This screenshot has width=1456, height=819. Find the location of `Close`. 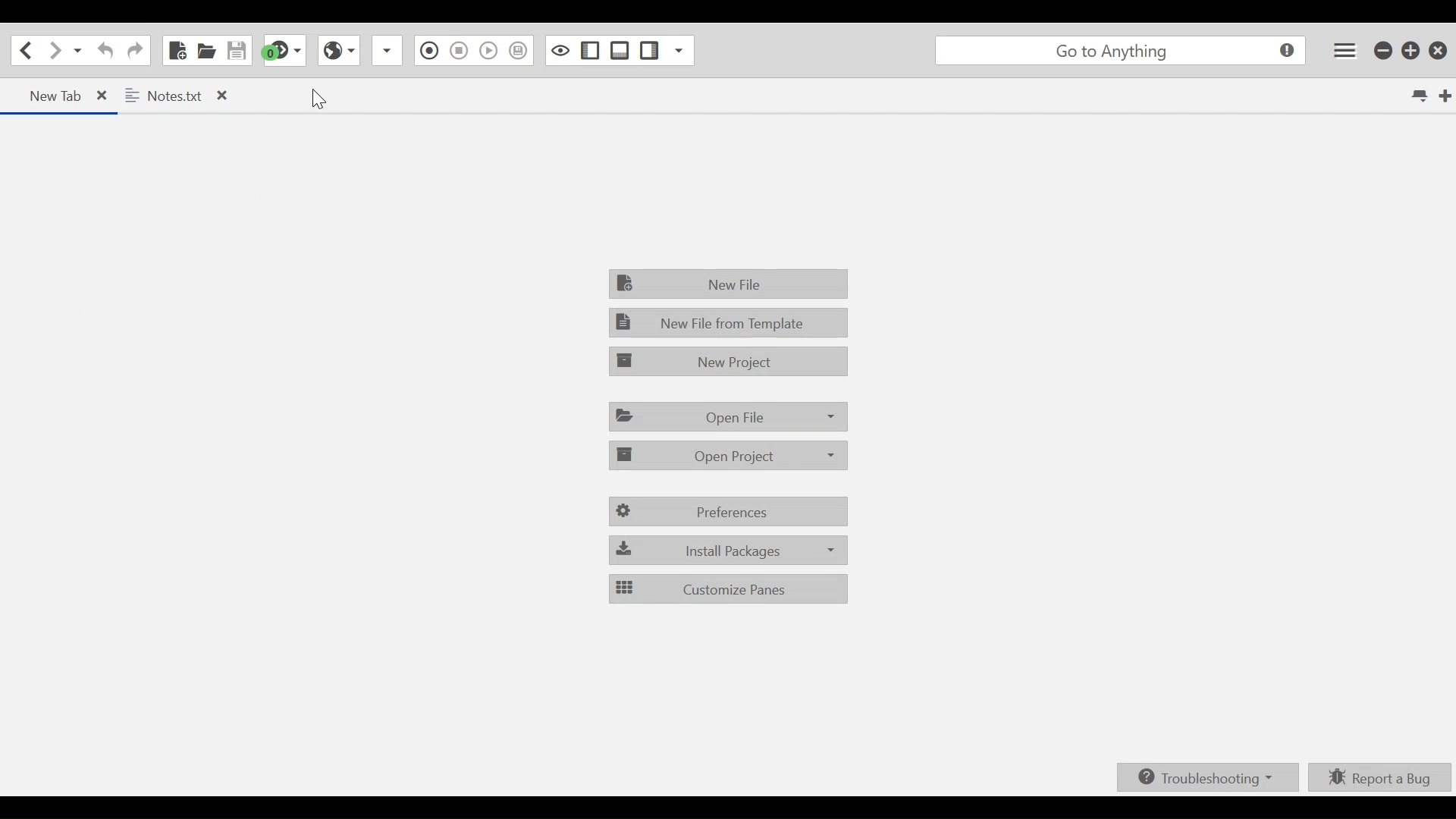

Close is located at coordinates (1437, 49).